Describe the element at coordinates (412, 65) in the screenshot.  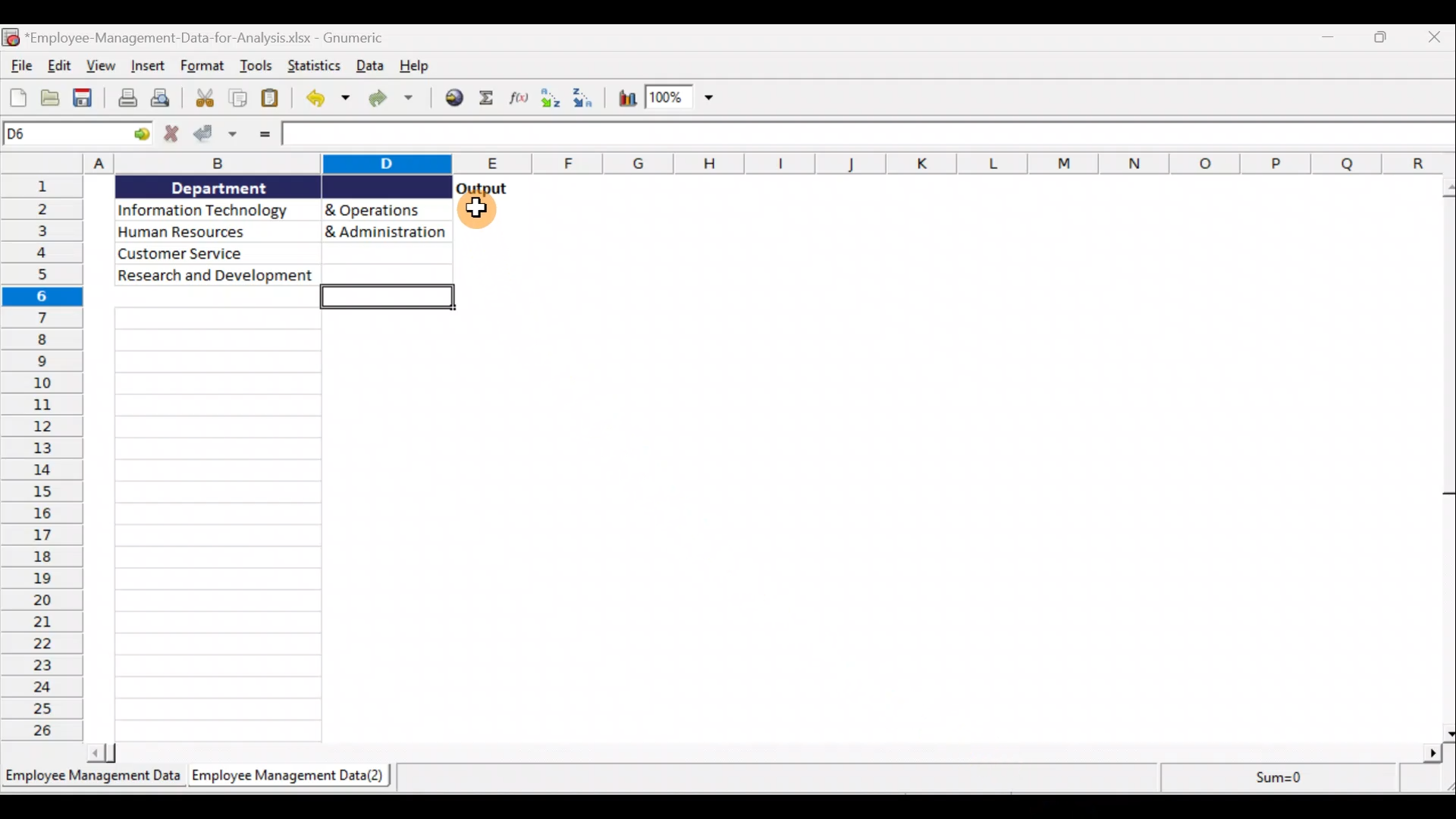
I see `Help` at that location.